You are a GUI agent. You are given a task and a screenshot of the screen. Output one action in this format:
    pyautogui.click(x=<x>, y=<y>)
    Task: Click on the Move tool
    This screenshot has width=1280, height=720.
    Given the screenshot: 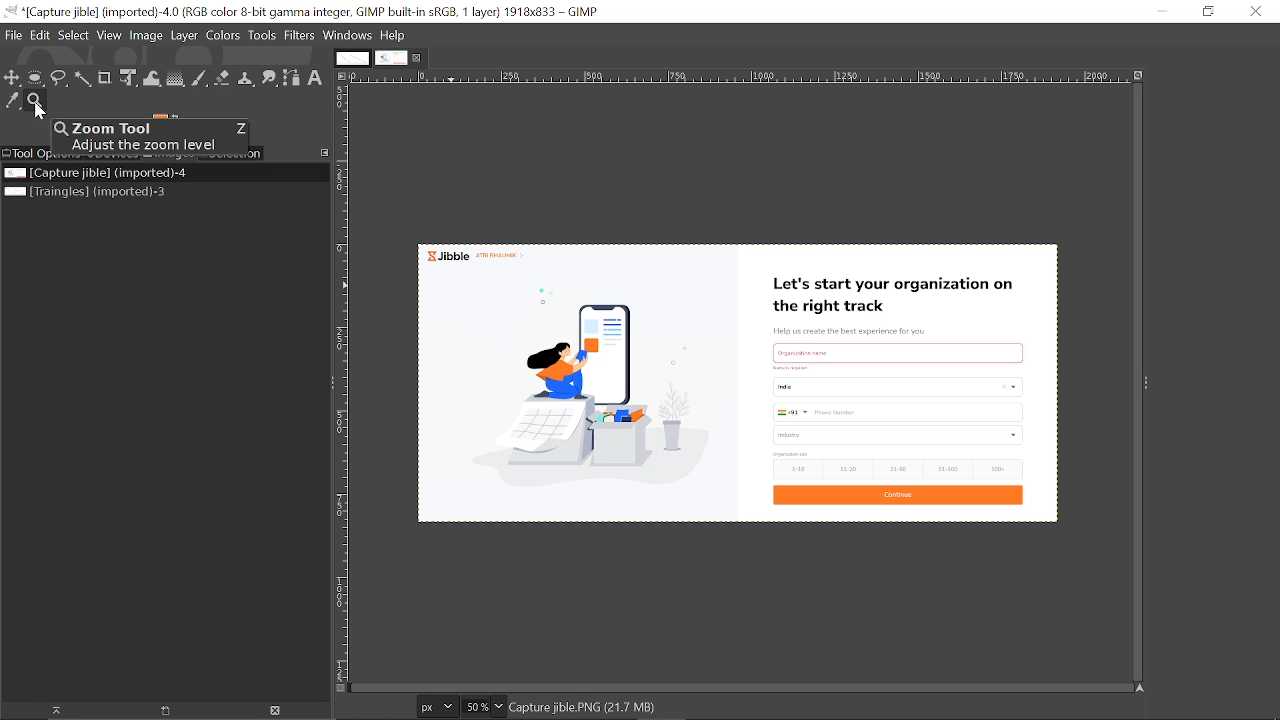 What is the action you would take?
    pyautogui.click(x=12, y=79)
    